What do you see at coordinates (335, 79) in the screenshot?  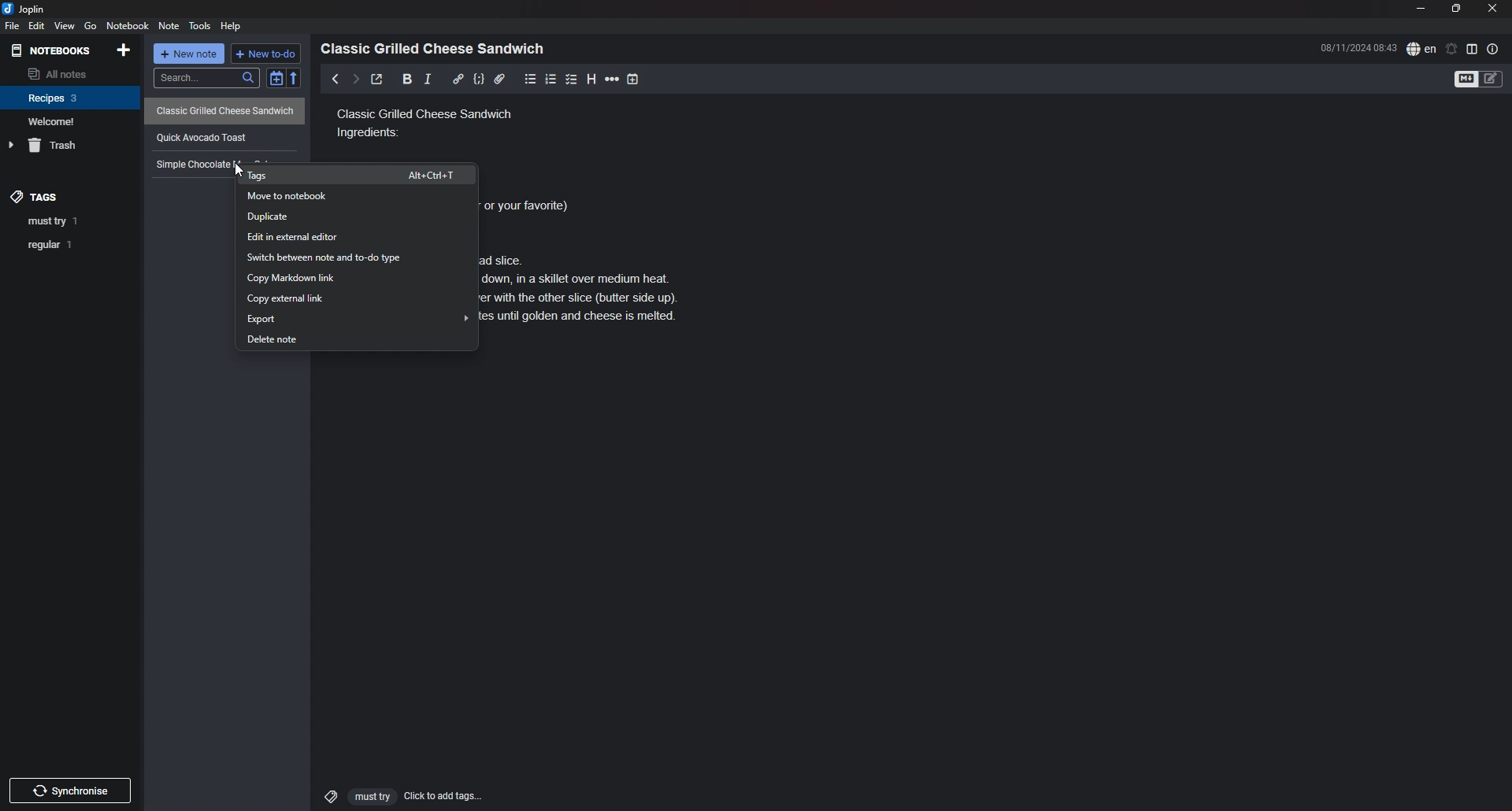 I see `previous` at bounding box center [335, 79].